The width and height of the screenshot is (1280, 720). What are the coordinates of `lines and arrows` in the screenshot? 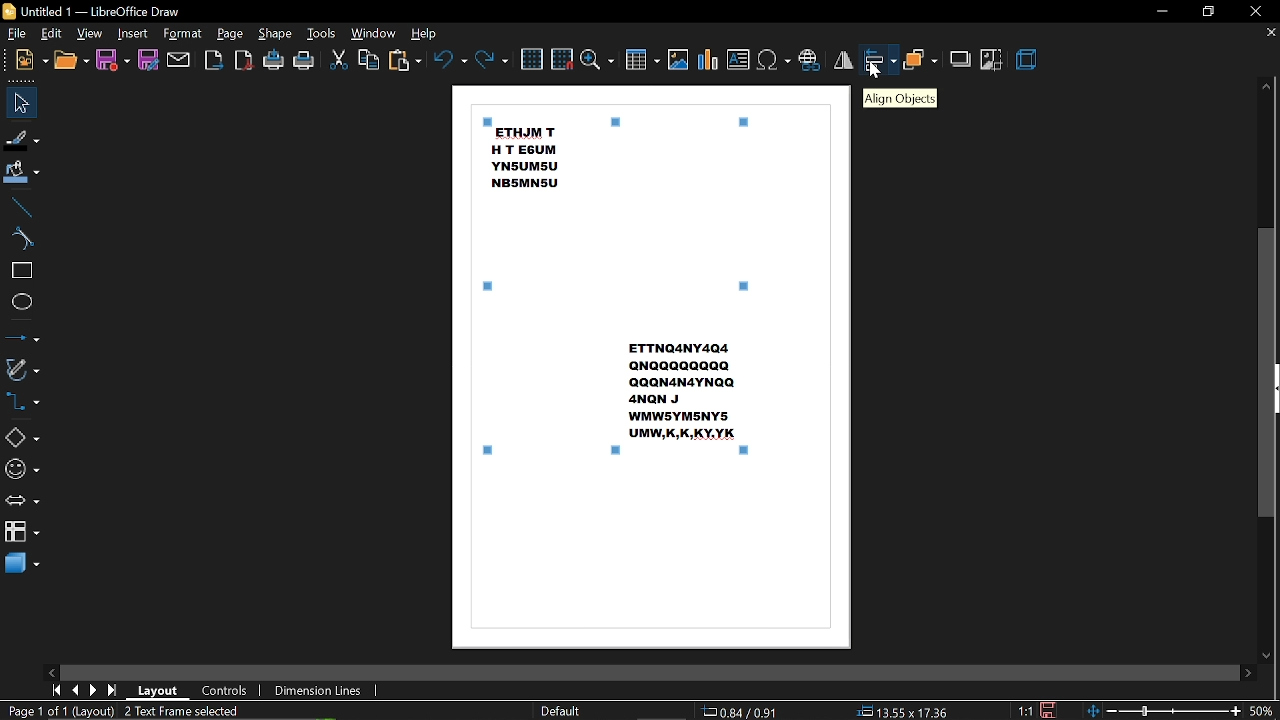 It's located at (22, 334).